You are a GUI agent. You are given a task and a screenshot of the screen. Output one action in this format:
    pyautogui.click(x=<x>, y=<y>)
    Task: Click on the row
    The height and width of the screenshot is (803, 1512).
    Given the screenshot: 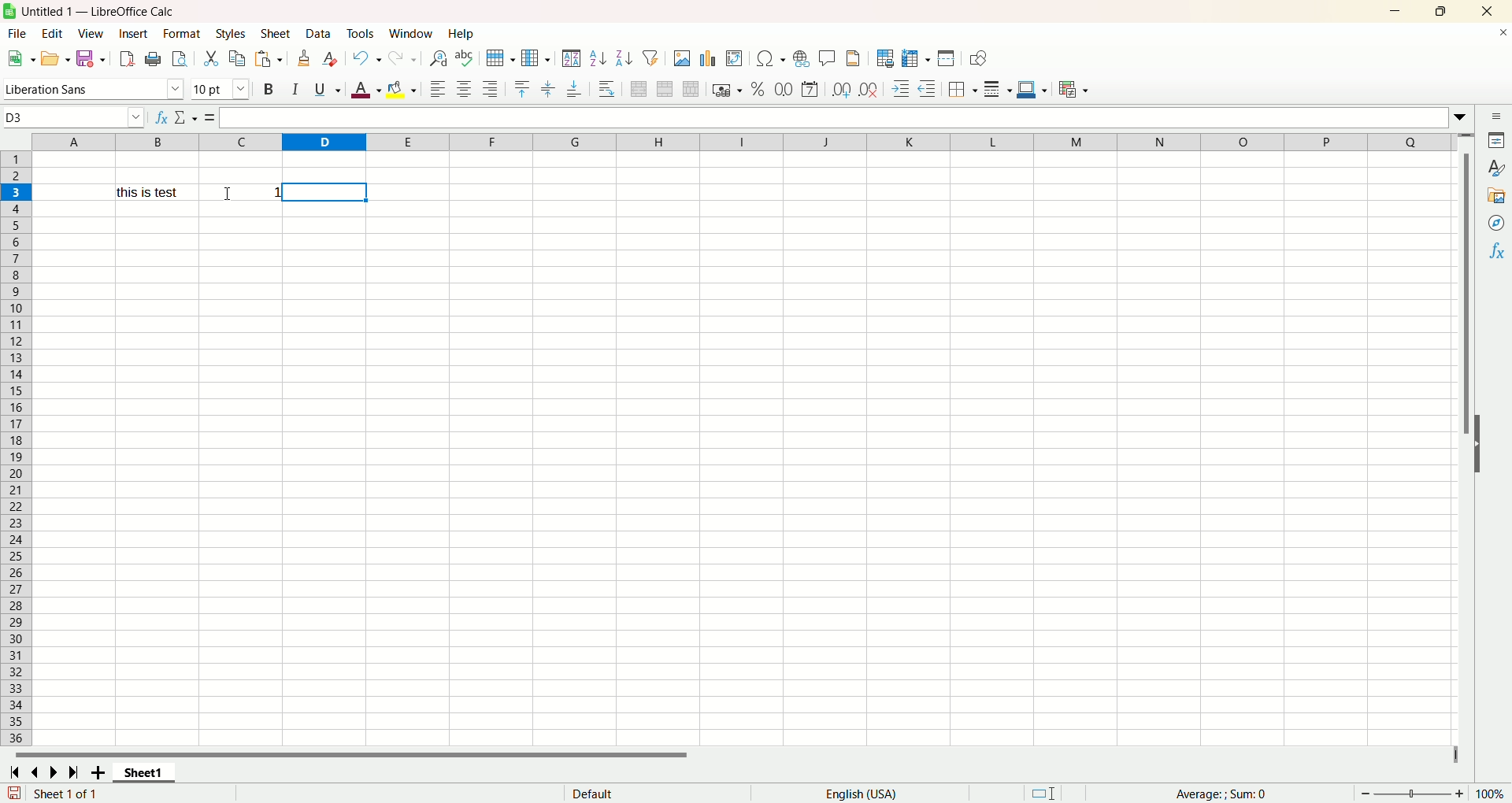 What is the action you would take?
    pyautogui.click(x=498, y=59)
    